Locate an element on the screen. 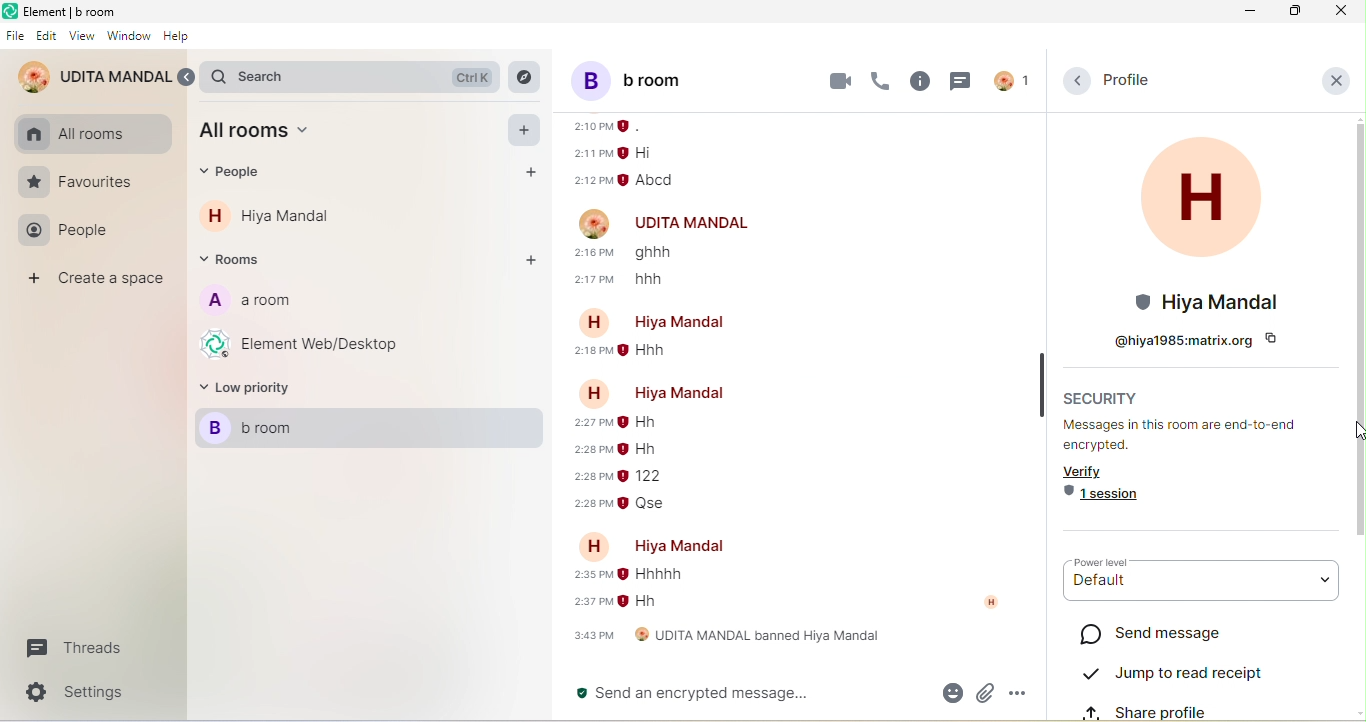 The image size is (1366, 722). attachment is located at coordinates (984, 693).